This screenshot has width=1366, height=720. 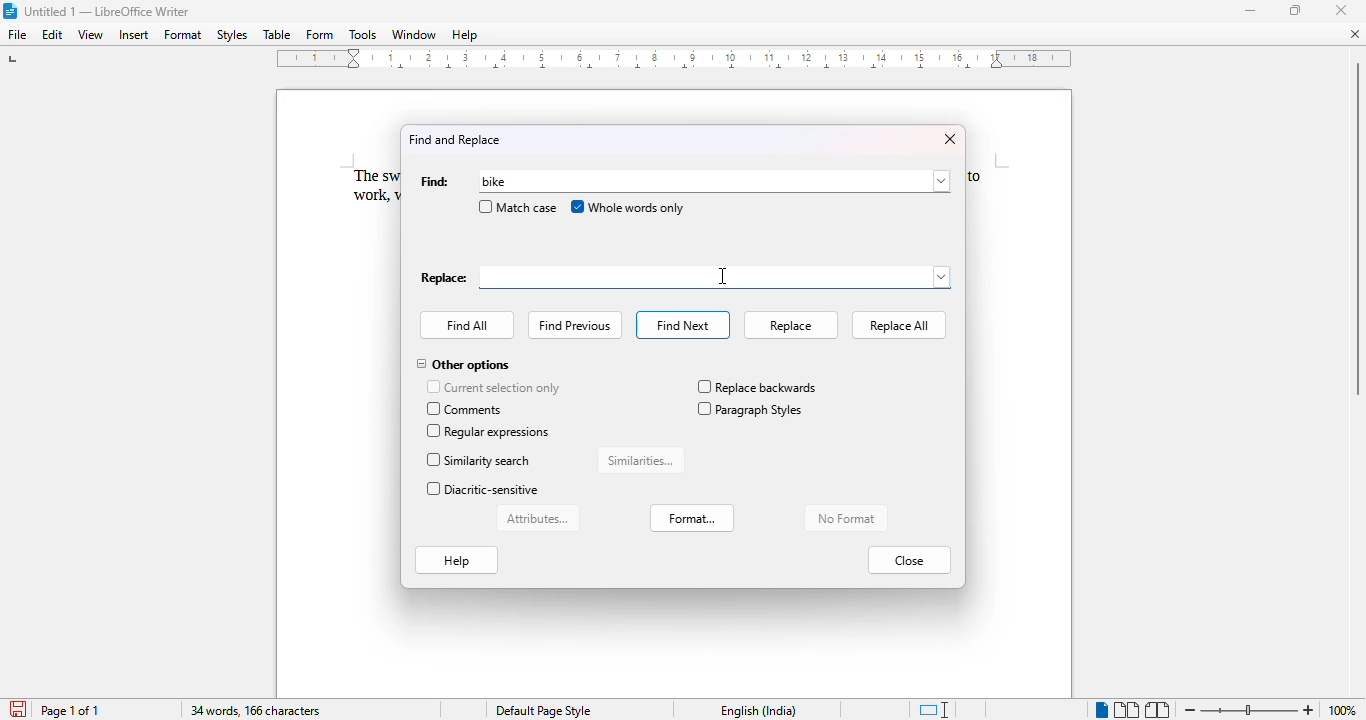 I want to click on find all, so click(x=468, y=325).